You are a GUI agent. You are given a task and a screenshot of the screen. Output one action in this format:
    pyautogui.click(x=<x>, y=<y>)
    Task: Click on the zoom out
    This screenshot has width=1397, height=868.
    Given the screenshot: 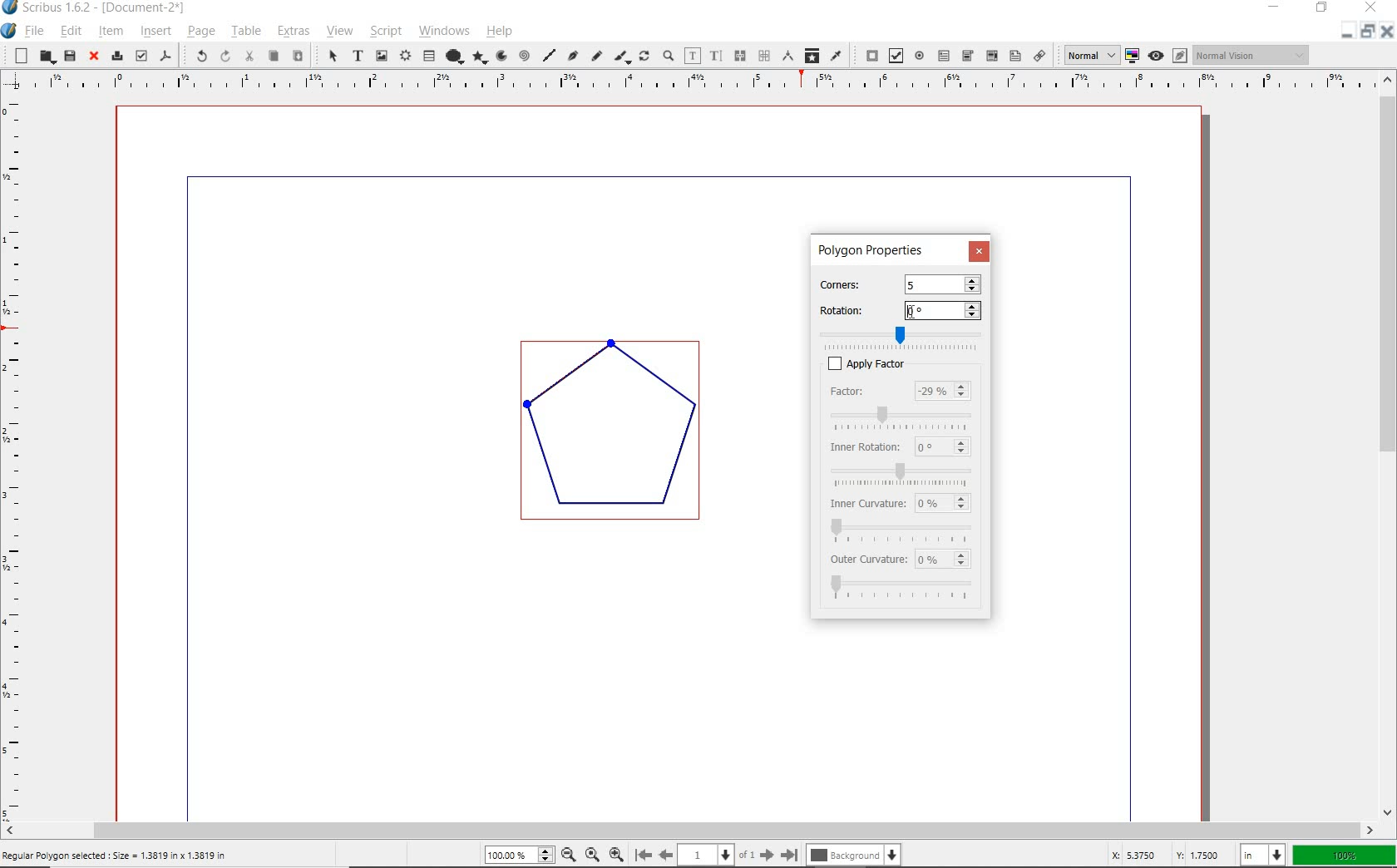 What is the action you would take?
    pyautogui.click(x=569, y=855)
    